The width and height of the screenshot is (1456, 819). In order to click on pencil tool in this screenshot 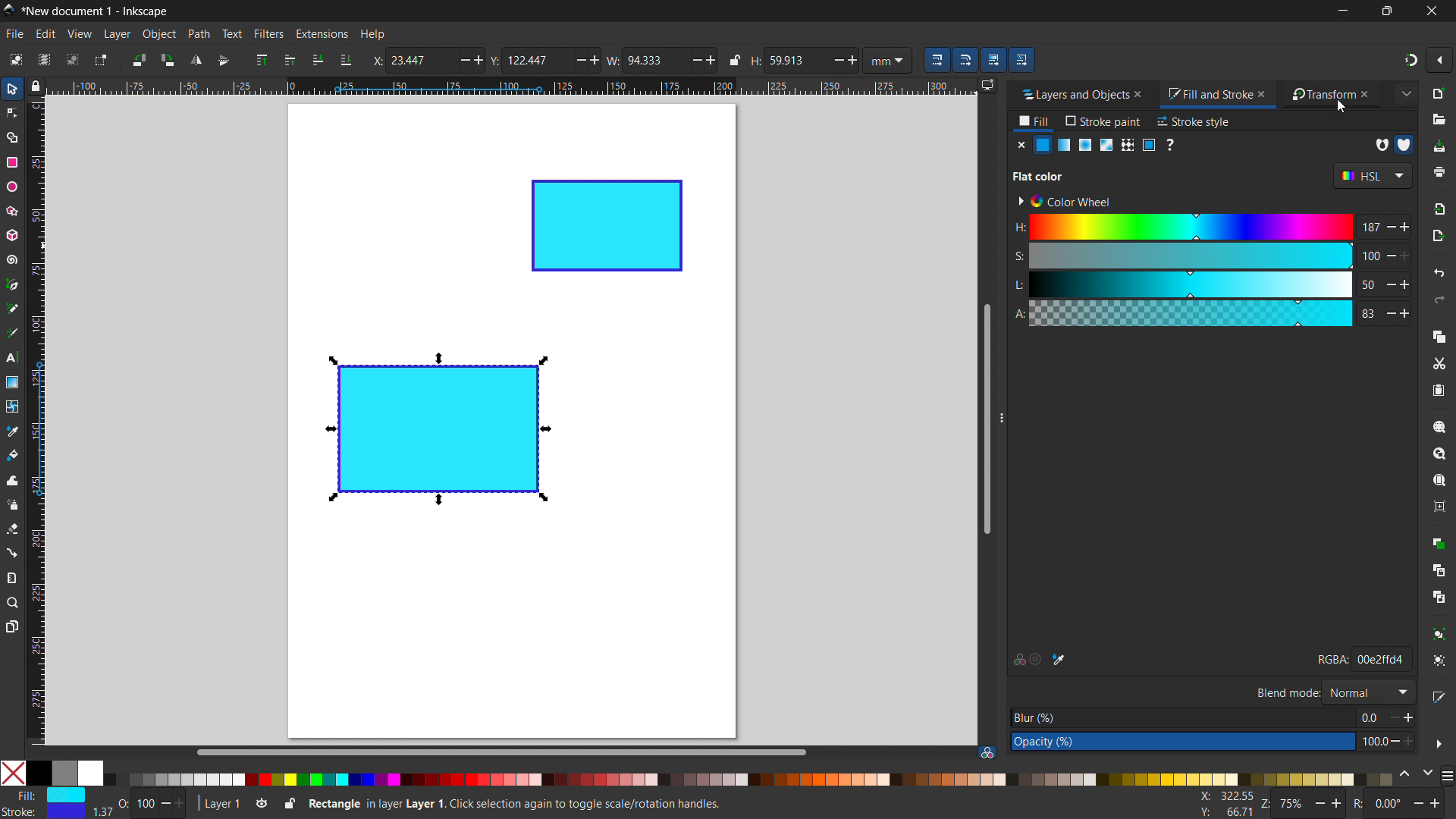, I will do `click(11, 308)`.